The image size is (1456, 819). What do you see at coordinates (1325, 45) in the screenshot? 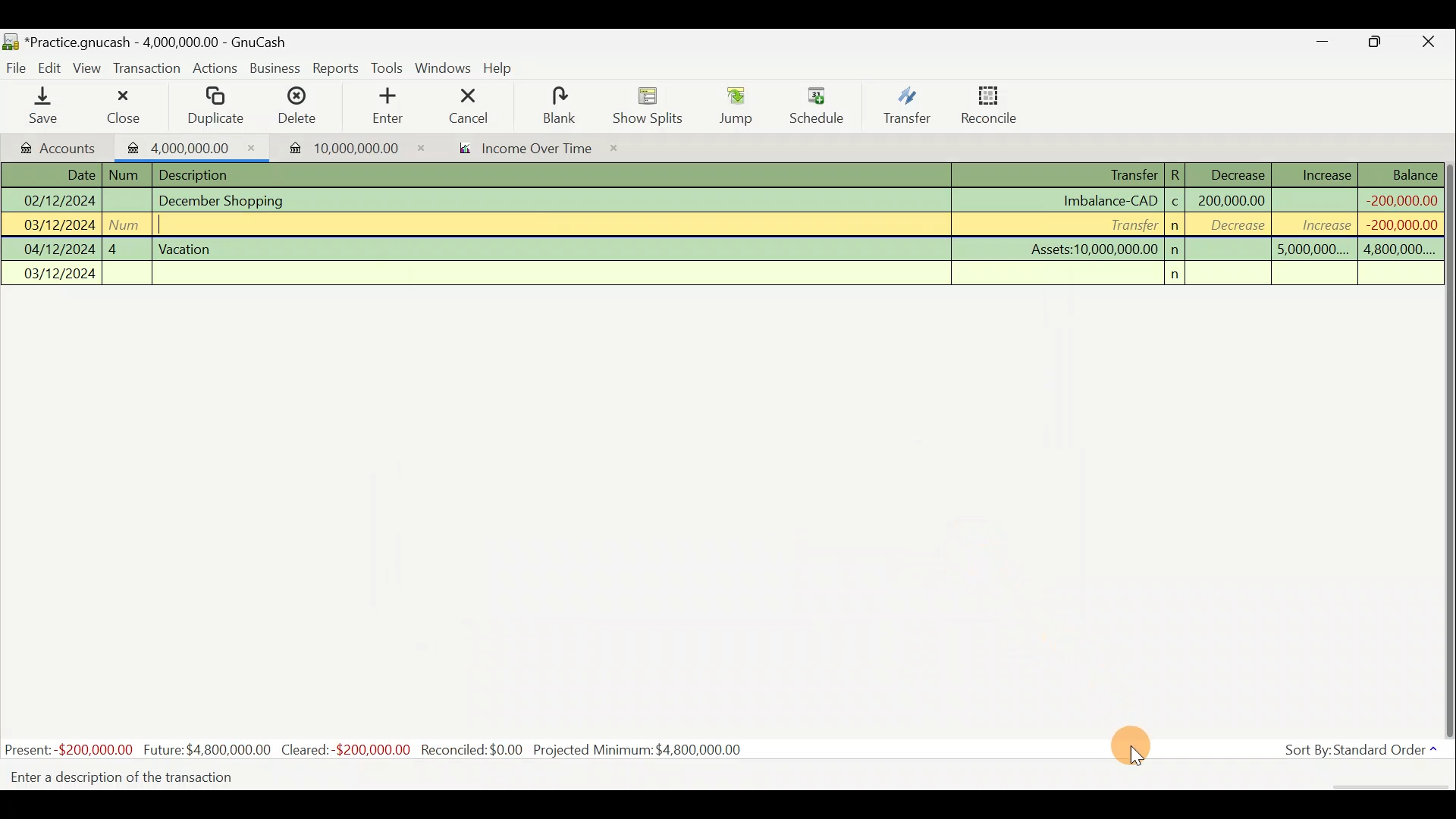
I see `Minimise` at bounding box center [1325, 45].